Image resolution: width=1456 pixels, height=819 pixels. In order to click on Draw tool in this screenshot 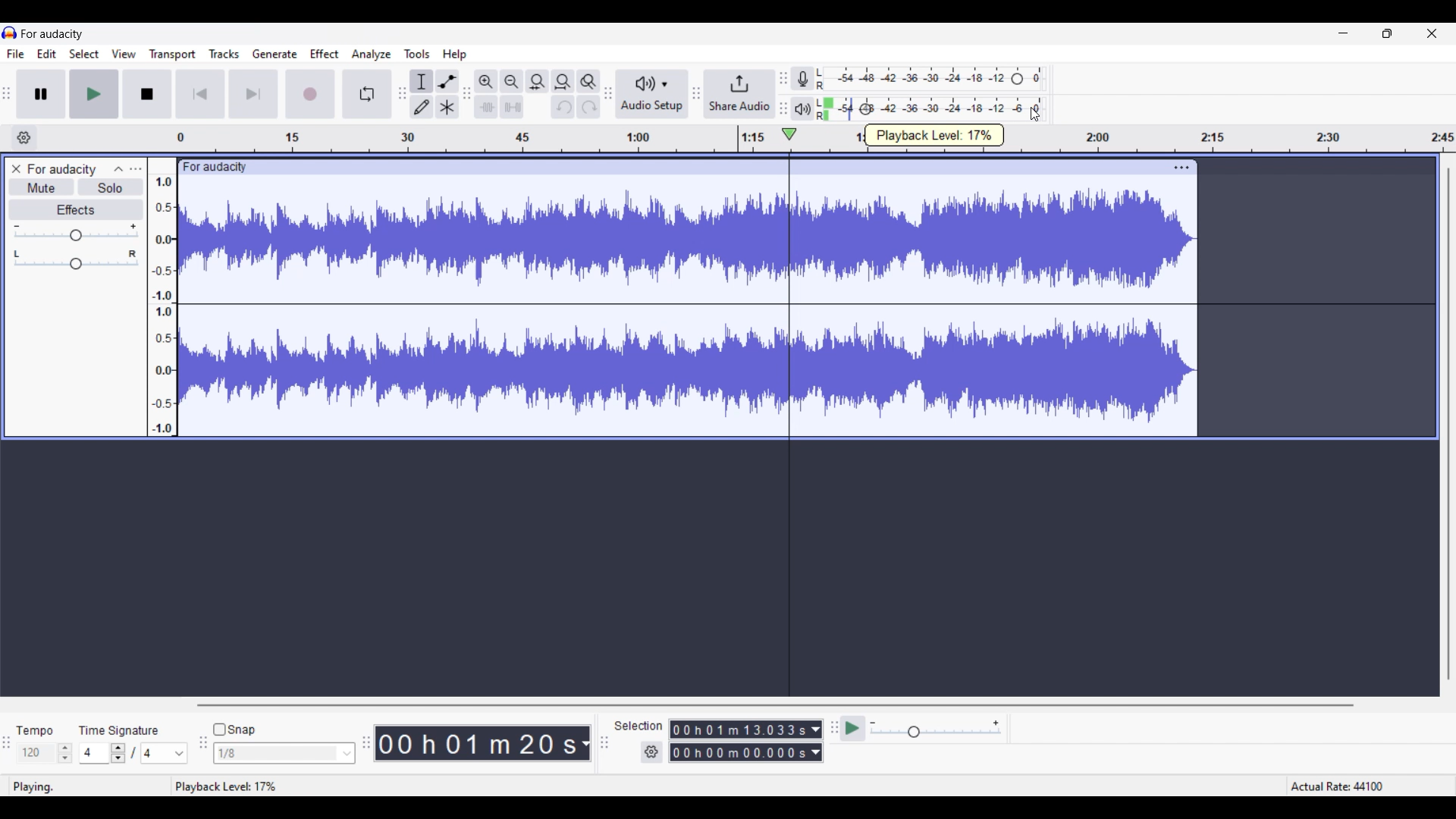, I will do `click(422, 107)`.